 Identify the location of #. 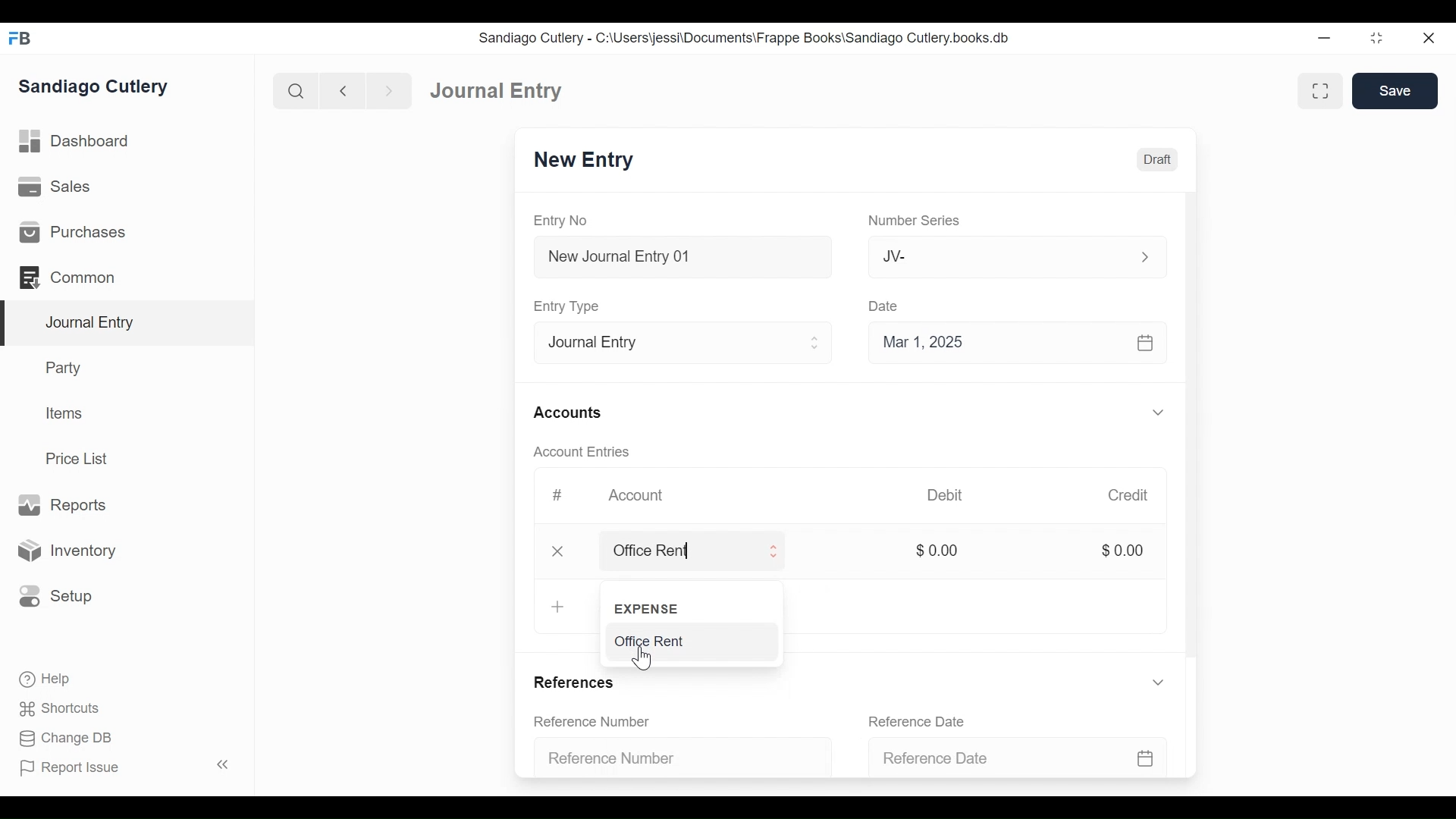
(552, 495).